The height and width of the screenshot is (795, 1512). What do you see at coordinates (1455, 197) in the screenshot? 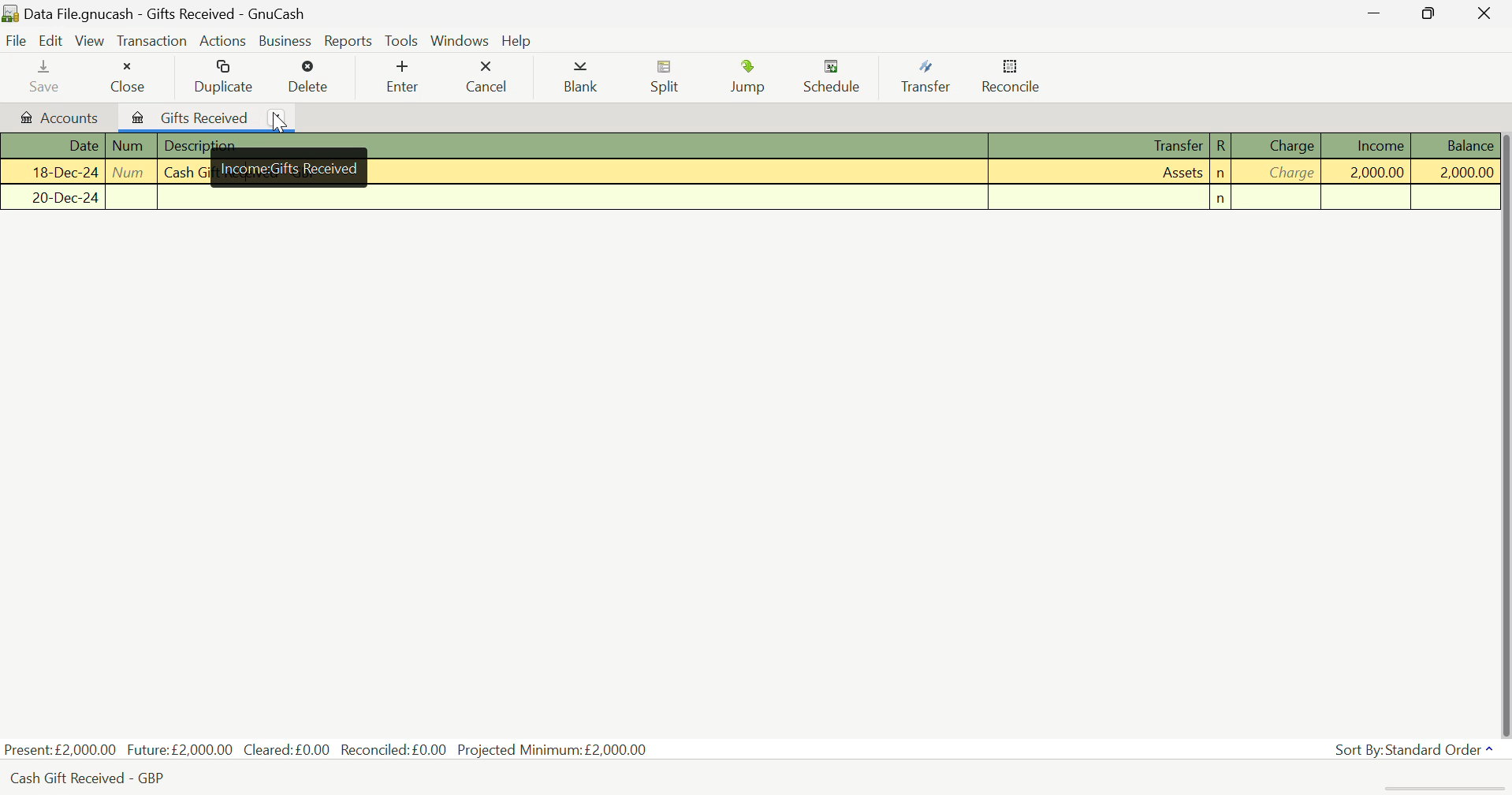
I see `Balance` at bounding box center [1455, 197].